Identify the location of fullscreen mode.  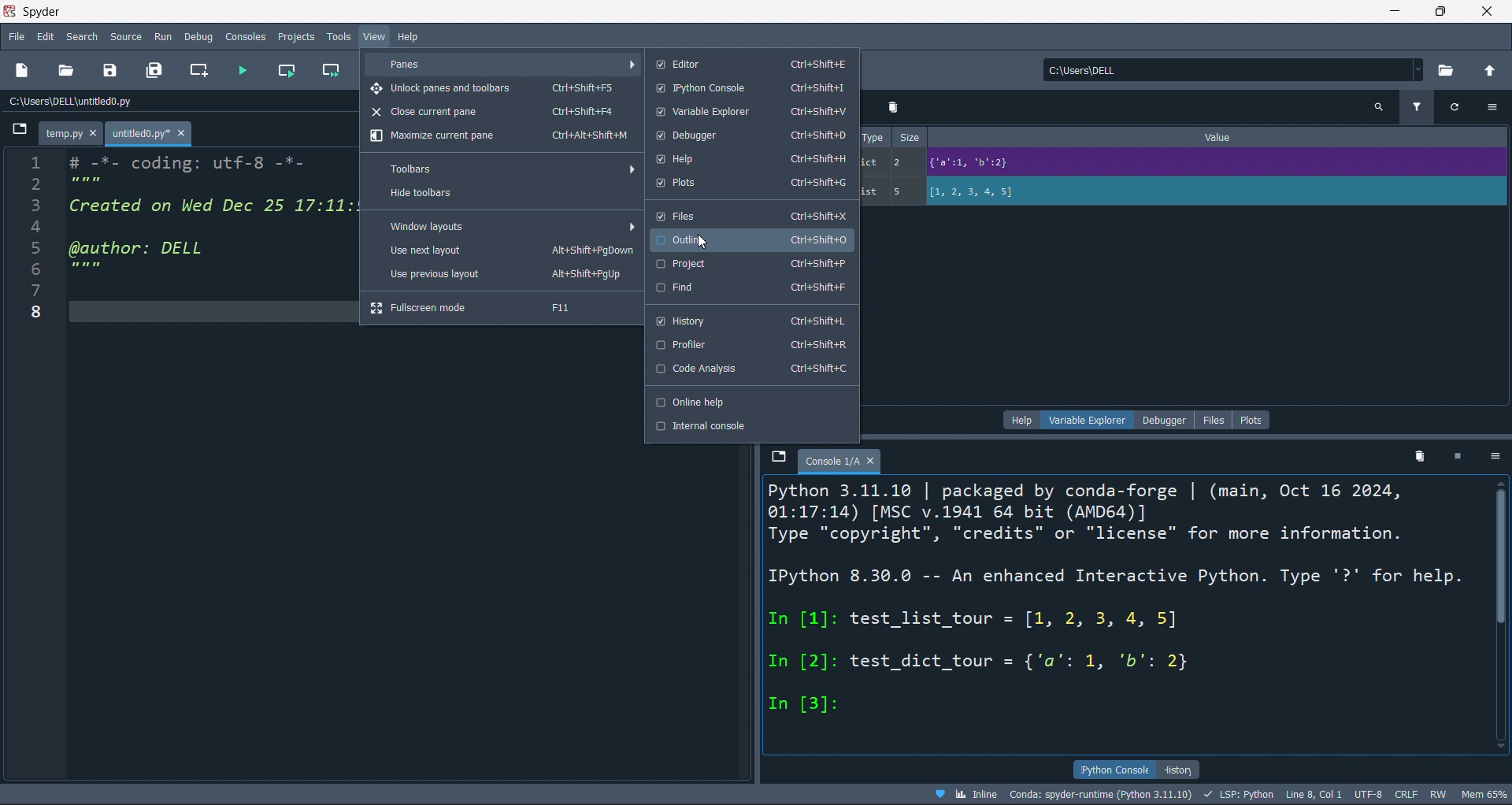
(495, 306).